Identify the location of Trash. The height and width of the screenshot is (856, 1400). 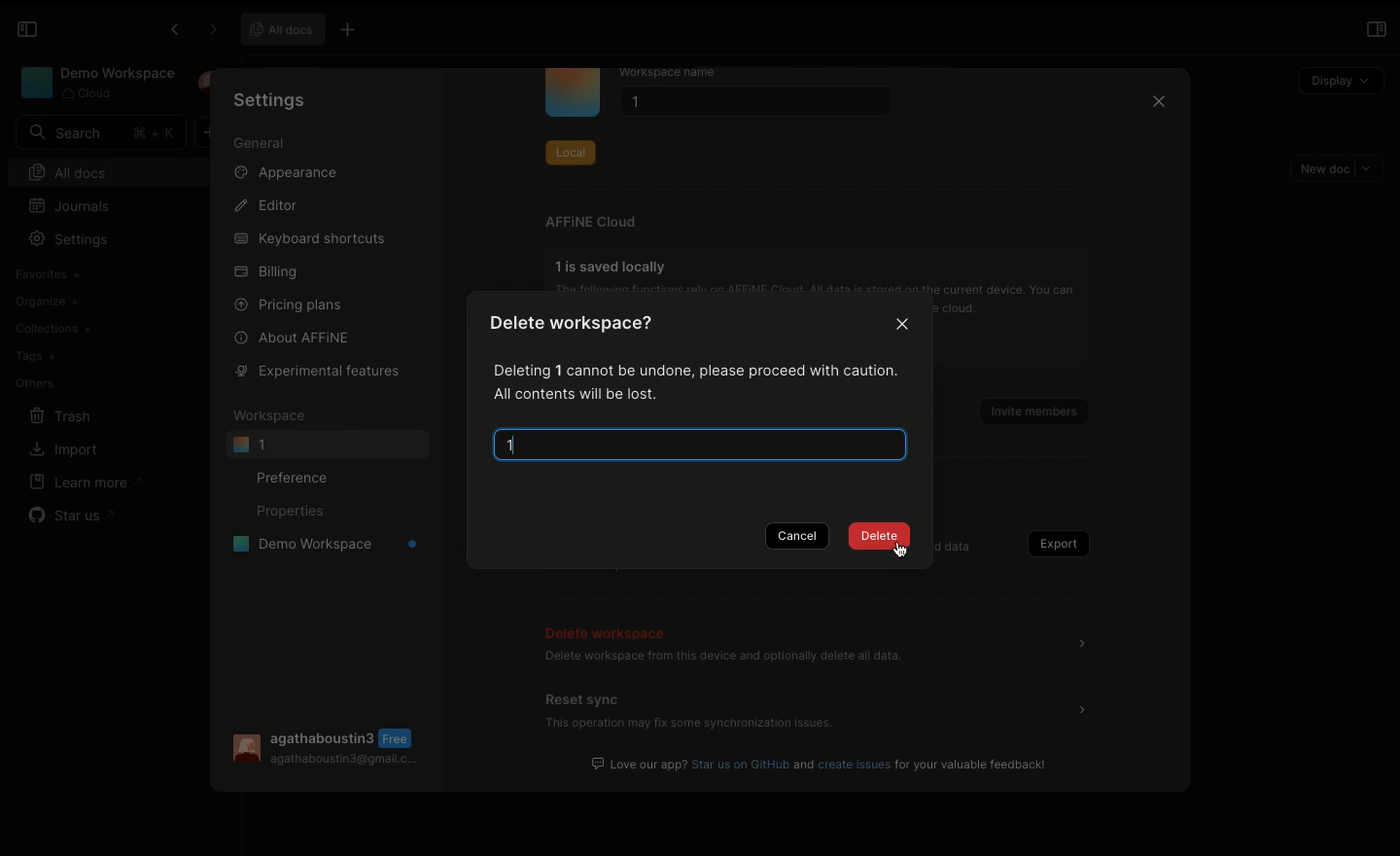
(62, 415).